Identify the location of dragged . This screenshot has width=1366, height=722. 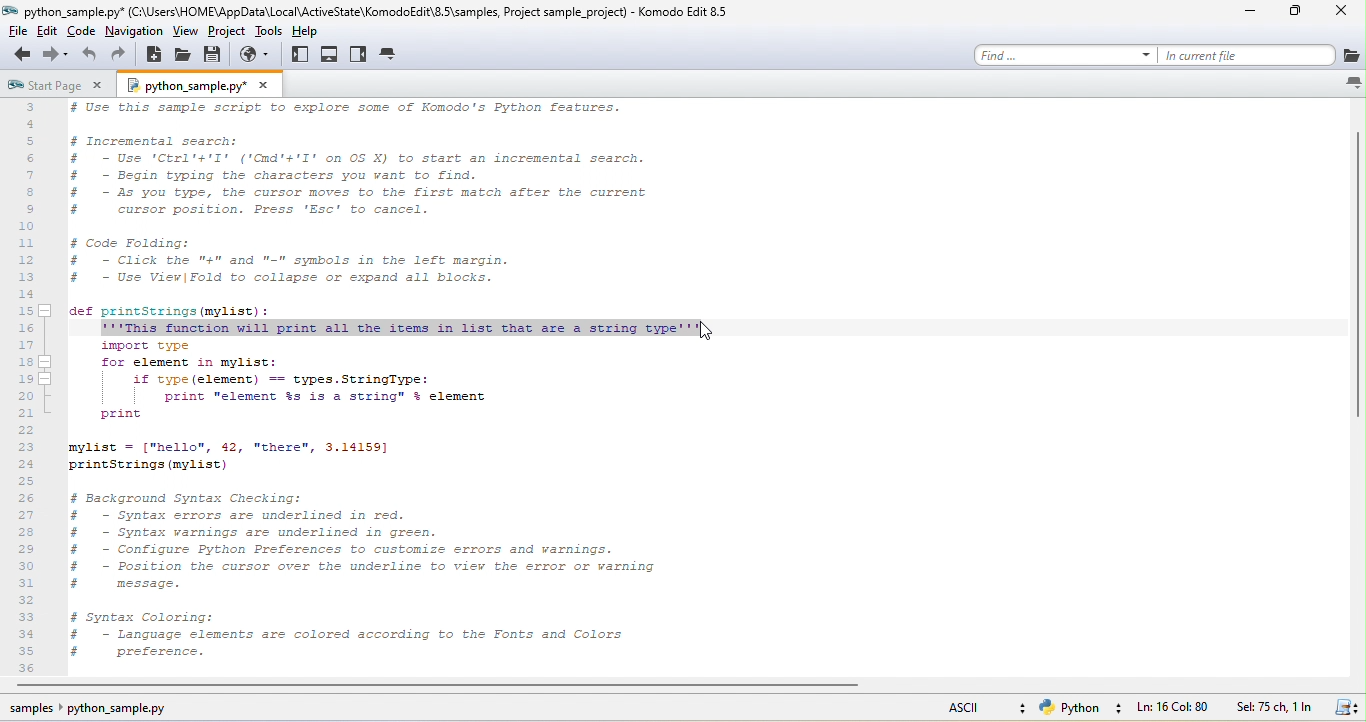
(402, 328).